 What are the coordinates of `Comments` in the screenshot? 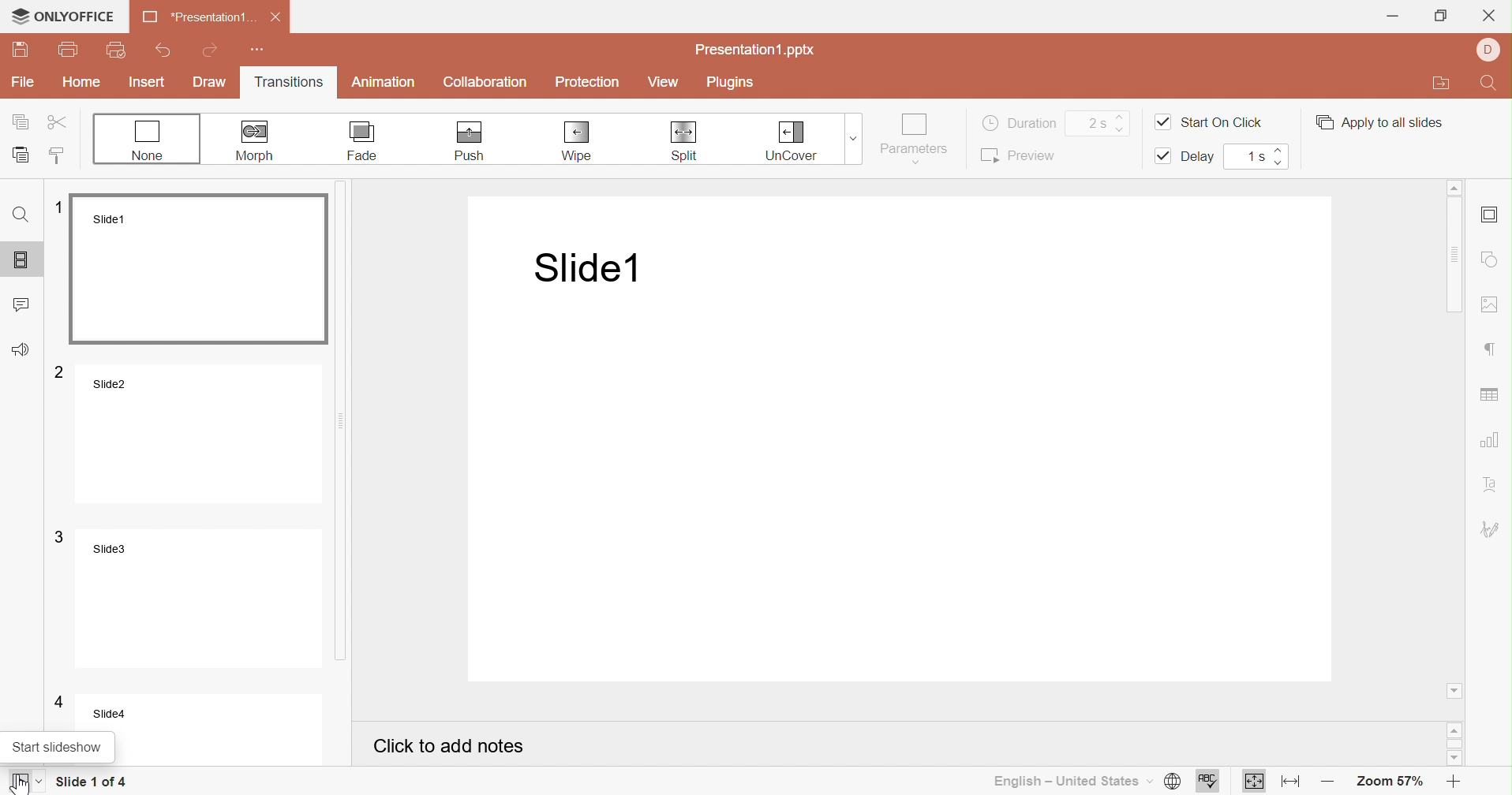 It's located at (21, 304).